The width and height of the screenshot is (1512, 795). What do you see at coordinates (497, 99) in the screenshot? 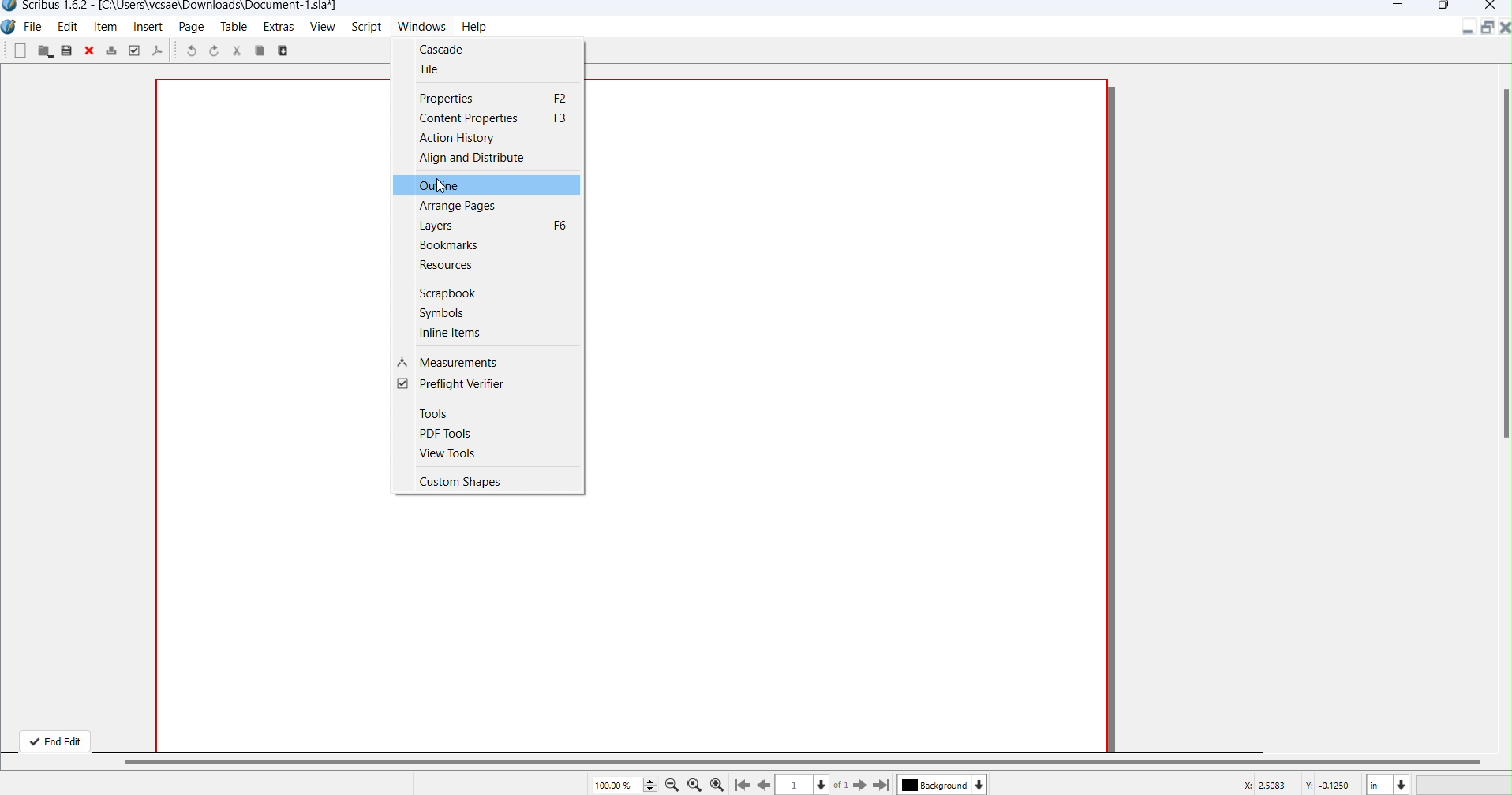
I see `Properties` at bounding box center [497, 99].